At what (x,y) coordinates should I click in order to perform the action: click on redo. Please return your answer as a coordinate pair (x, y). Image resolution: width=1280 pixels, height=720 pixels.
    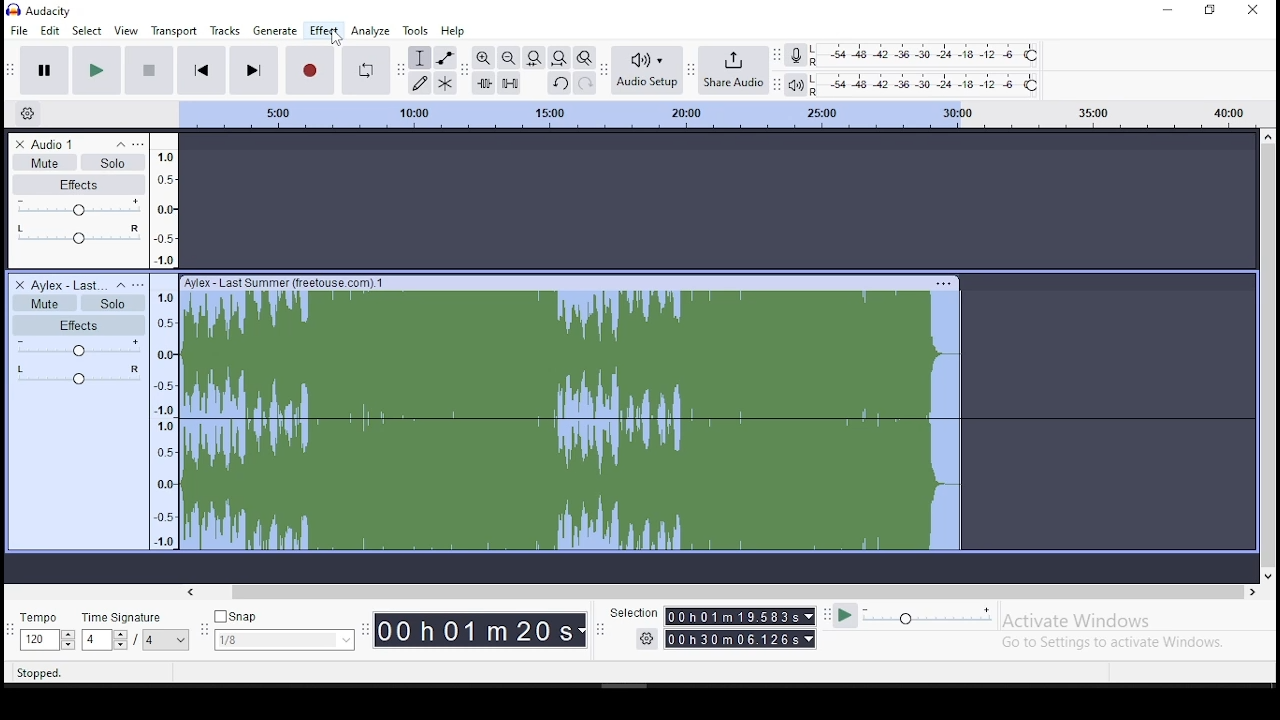
    Looking at the image, I should click on (584, 83).